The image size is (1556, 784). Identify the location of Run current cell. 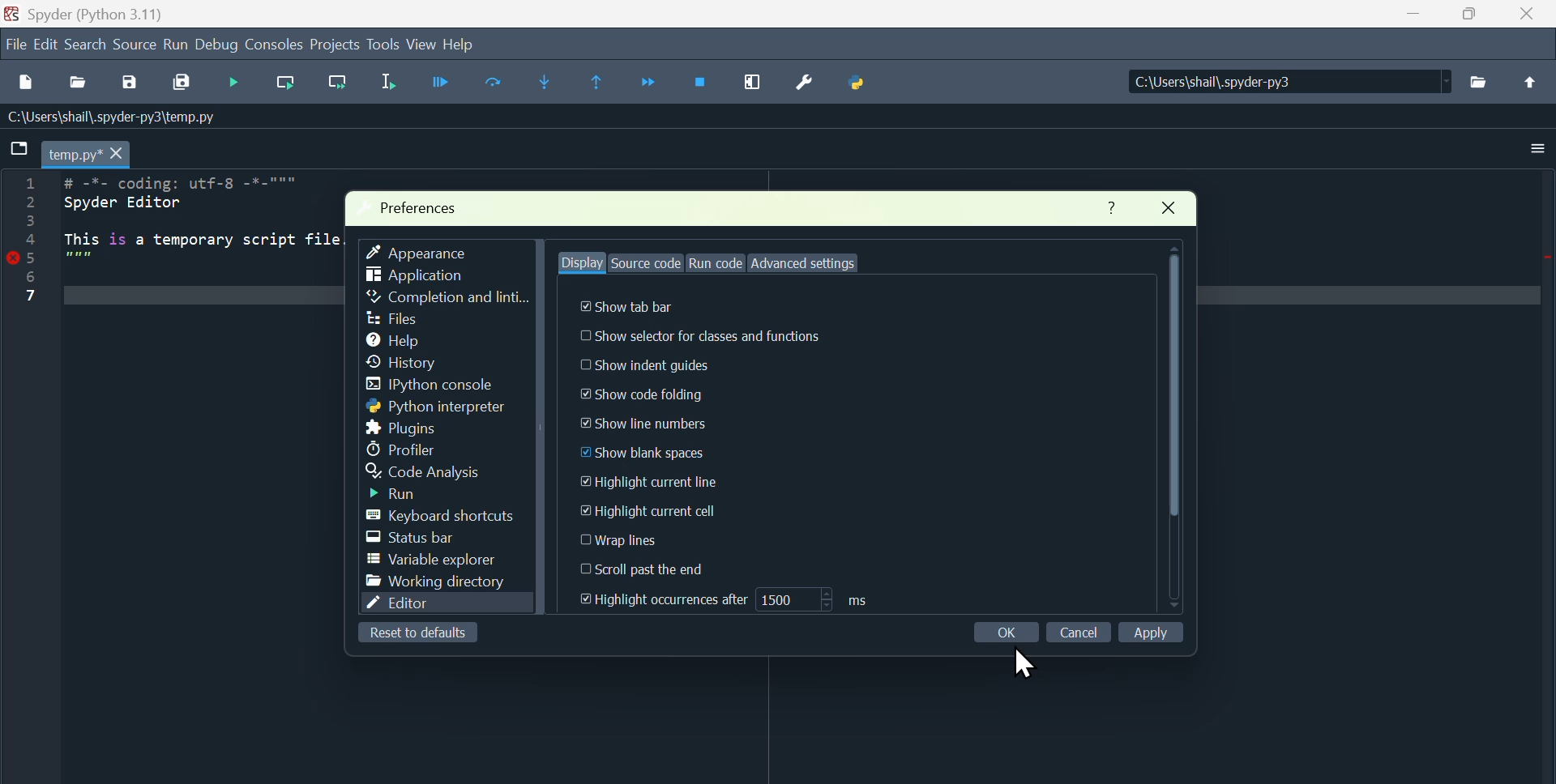
(495, 84).